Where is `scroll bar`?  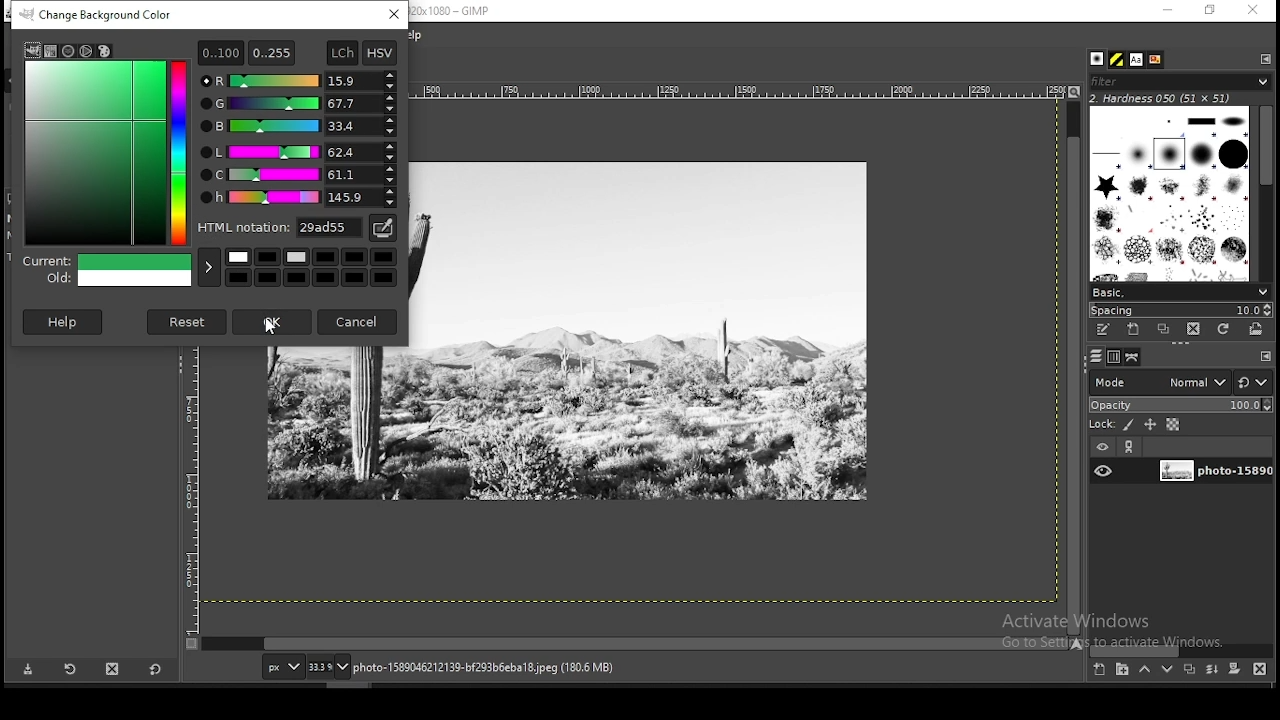 scroll bar is located at coordinates (1266, 191).